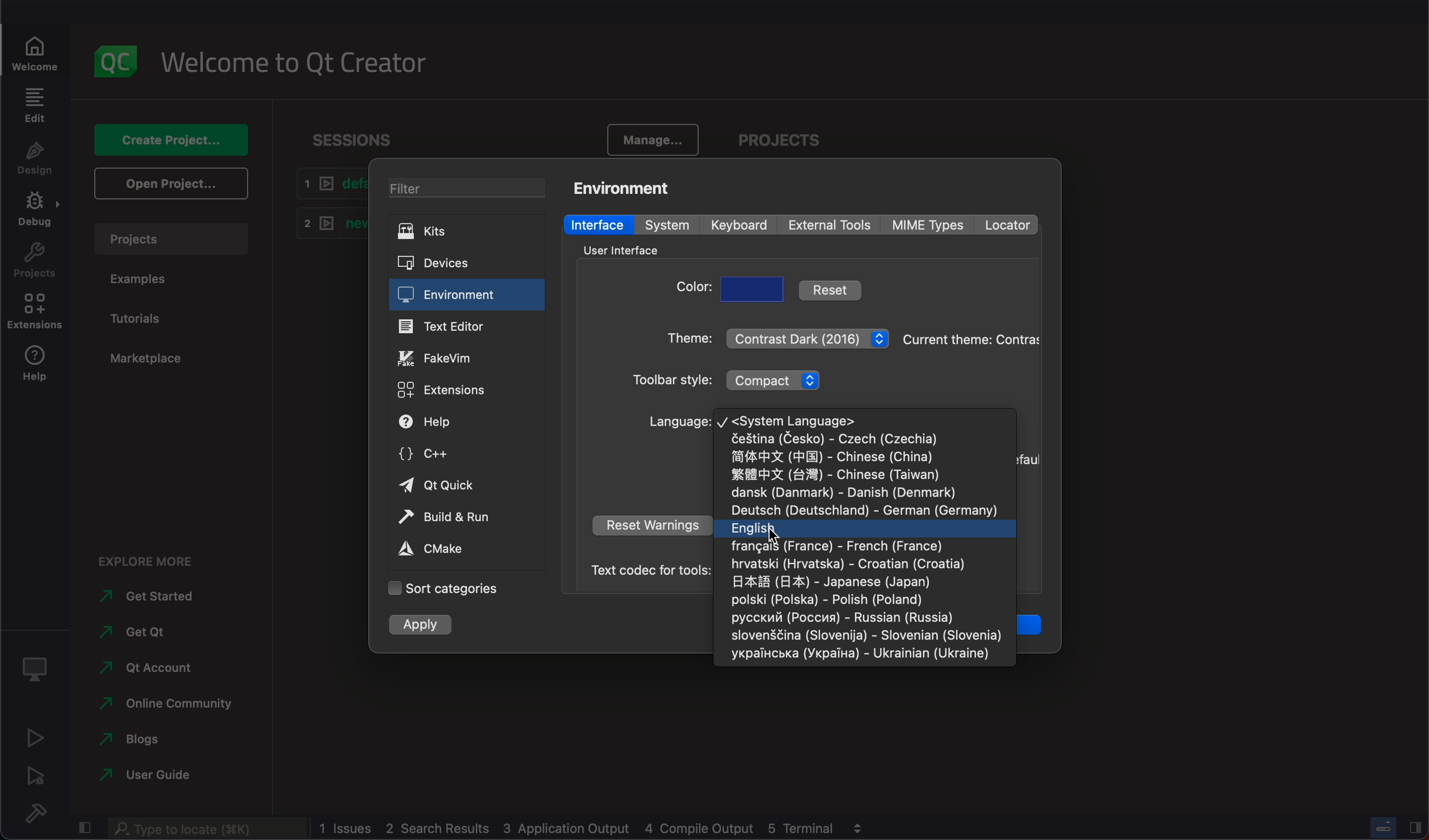  What do you see at coordinates (35, 776) in the screenshot?
I see `run debug` at bounding box center [35, 776].